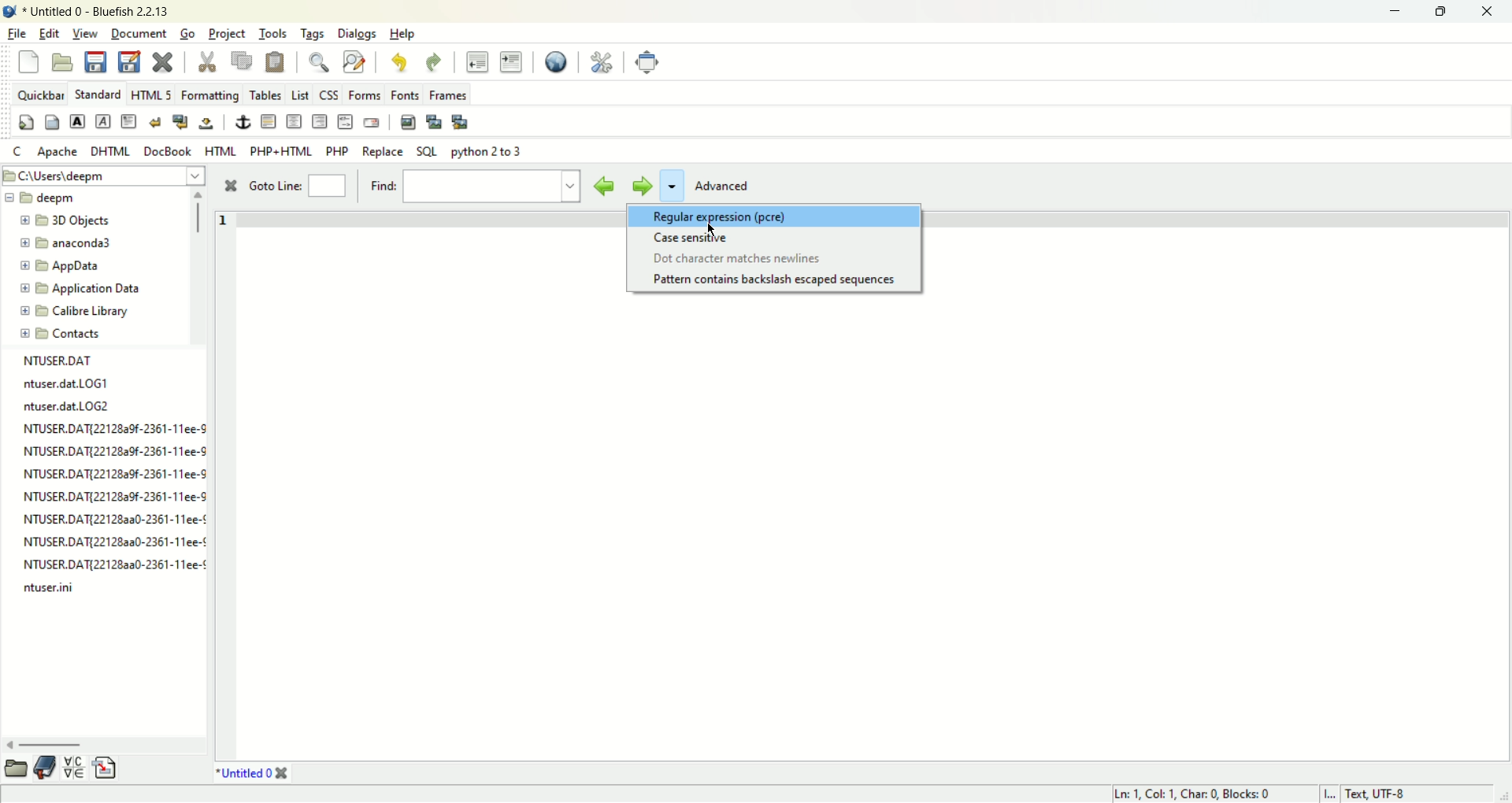  I want to click on dialogs, so click(362, 35).